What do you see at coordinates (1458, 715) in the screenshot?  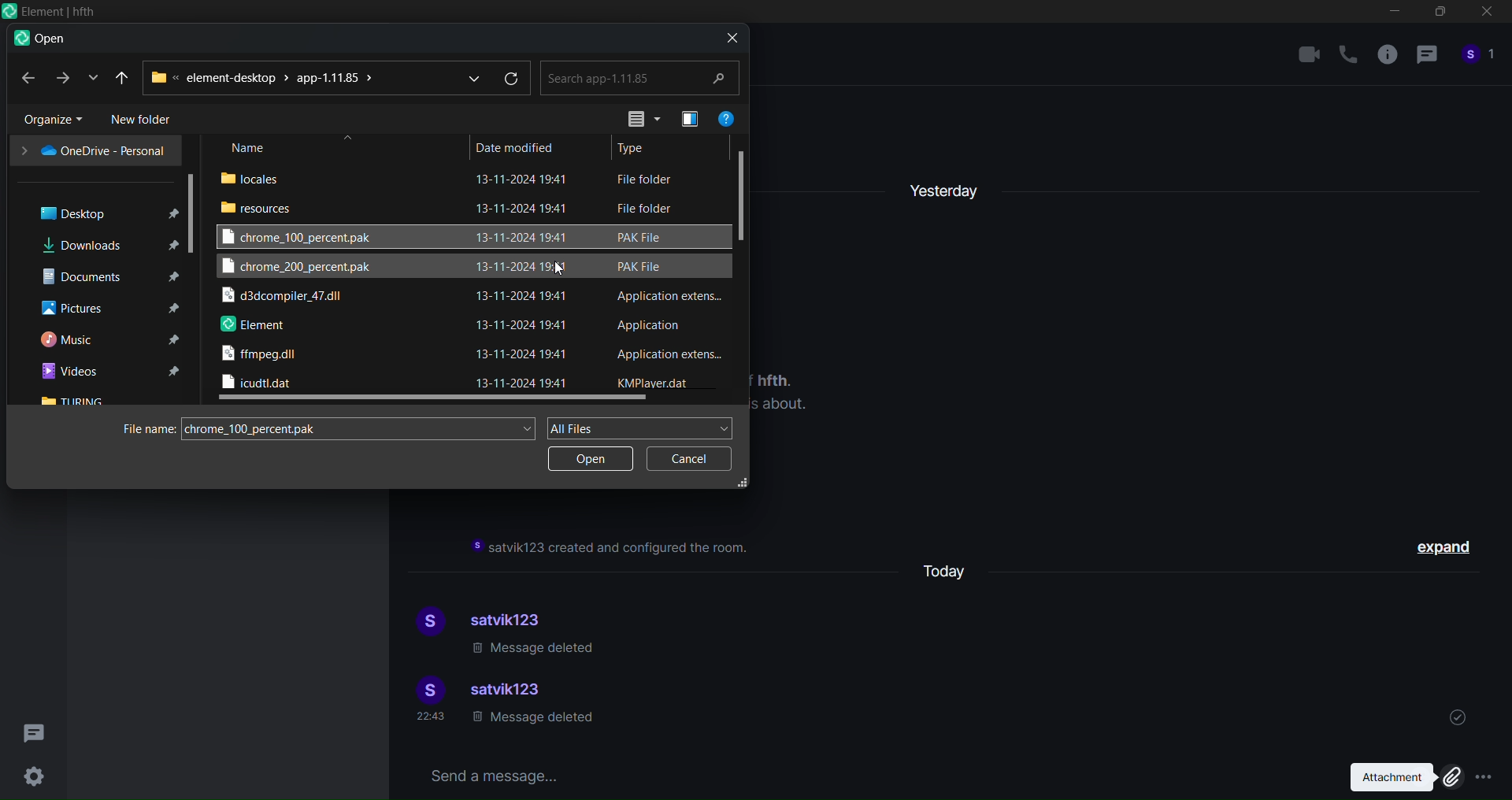 I see `sent` at bounding box center [1458, 715].